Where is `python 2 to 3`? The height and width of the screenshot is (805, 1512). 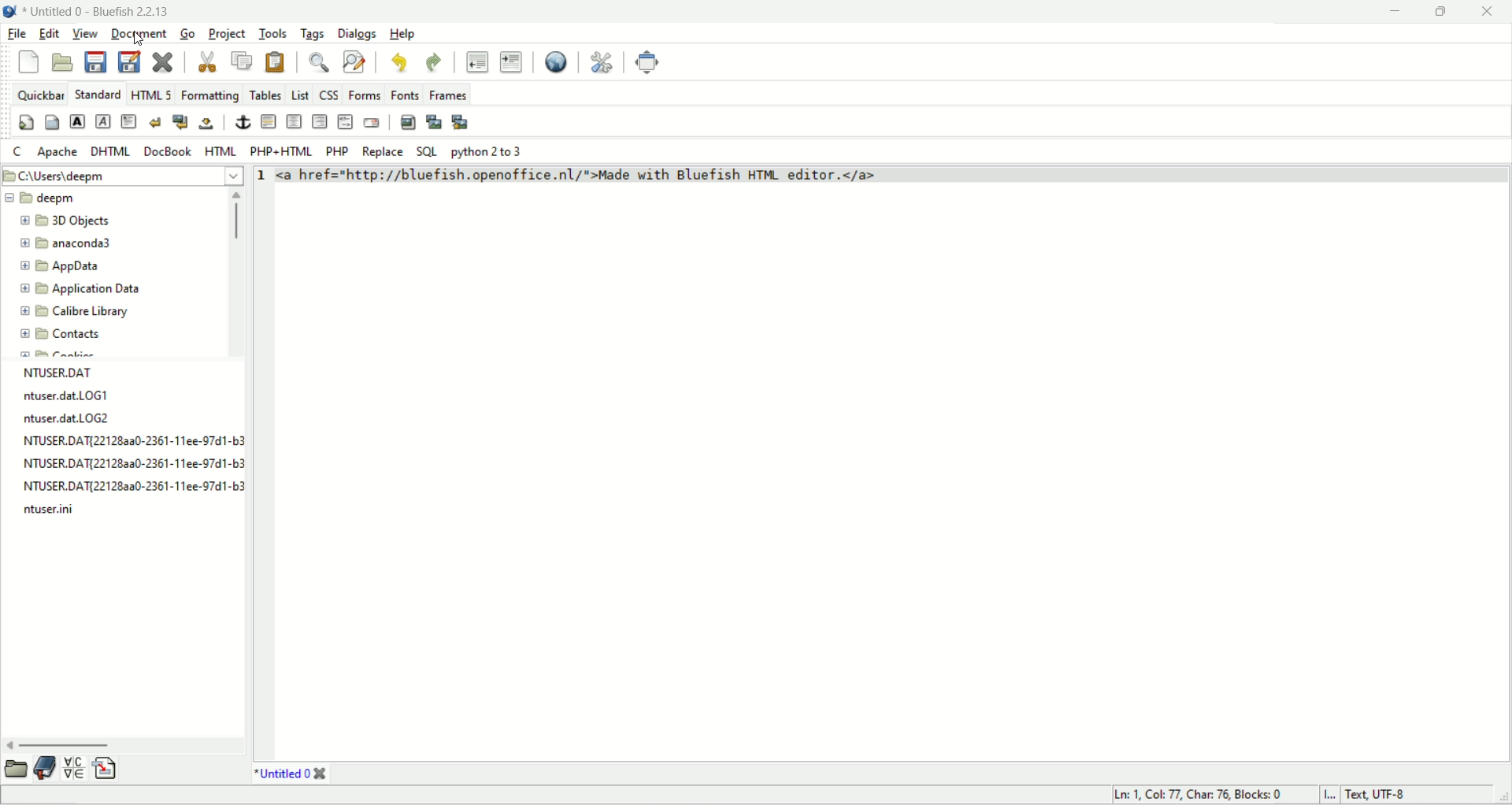 python 2 to 3 is located at coordinates (494, 152).